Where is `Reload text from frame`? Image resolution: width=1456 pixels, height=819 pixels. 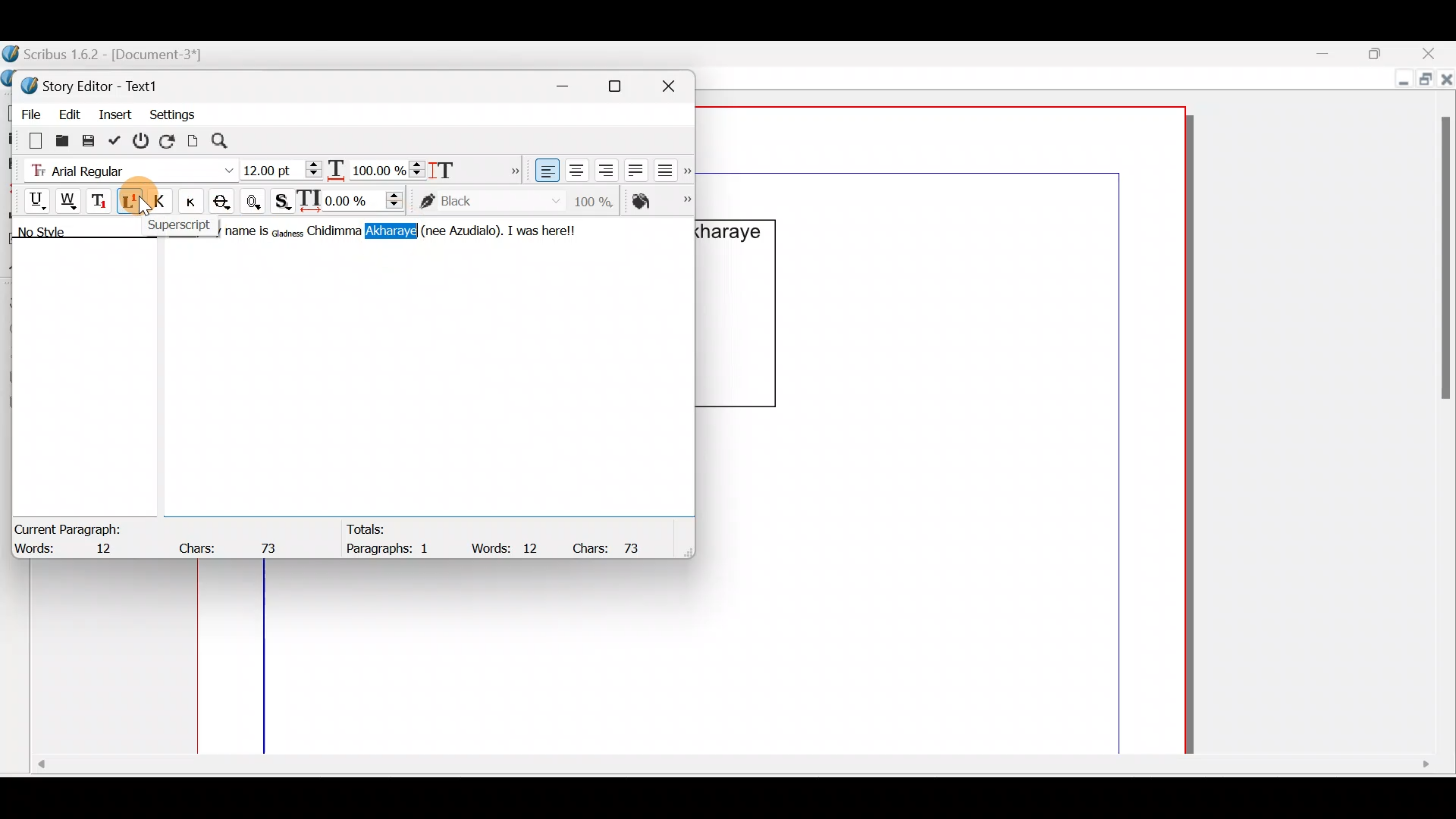 Reload text from frame is located at coordinates (169, 140).